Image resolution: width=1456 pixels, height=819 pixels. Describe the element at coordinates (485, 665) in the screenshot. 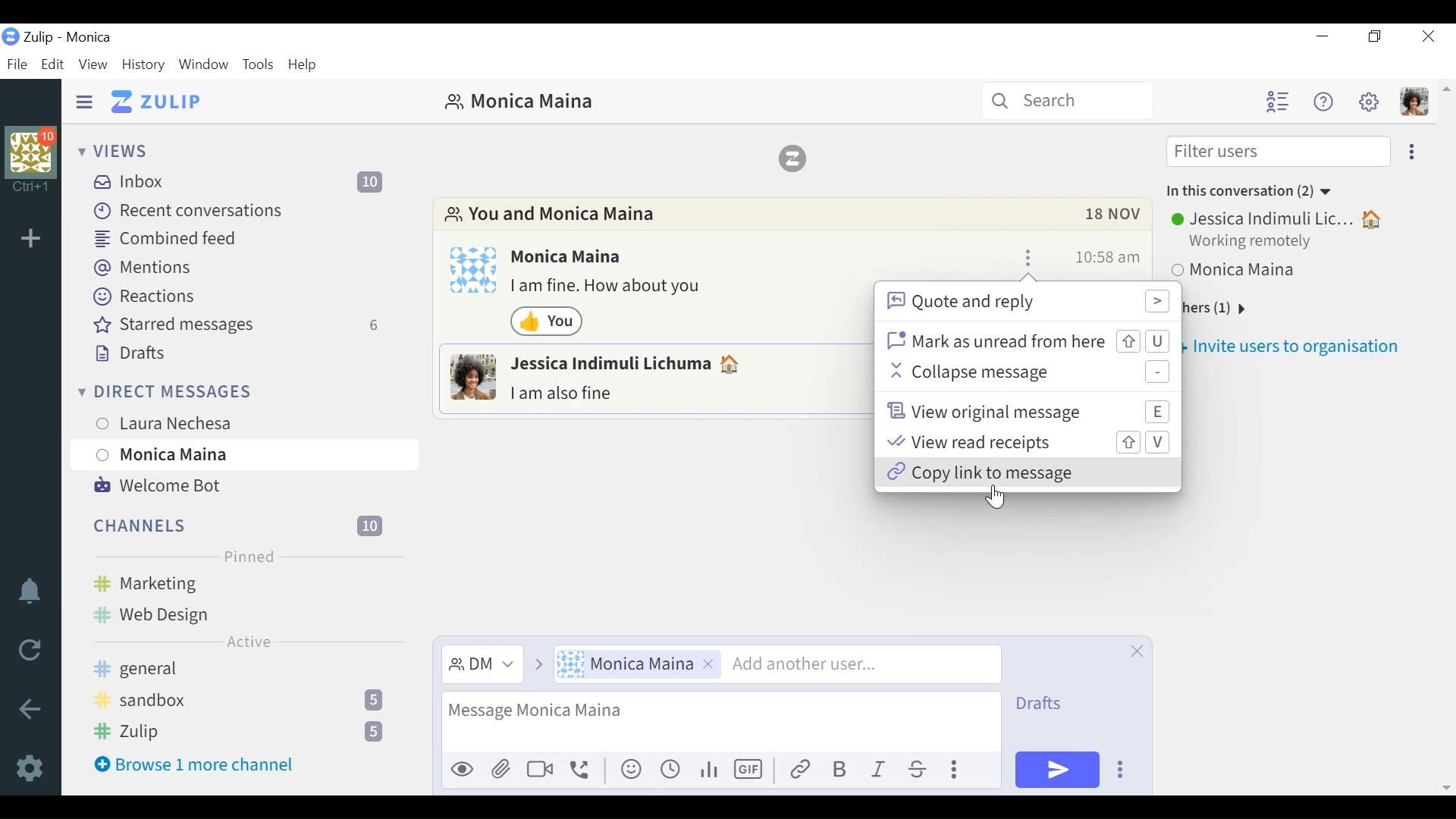

I see `DM` at that location.